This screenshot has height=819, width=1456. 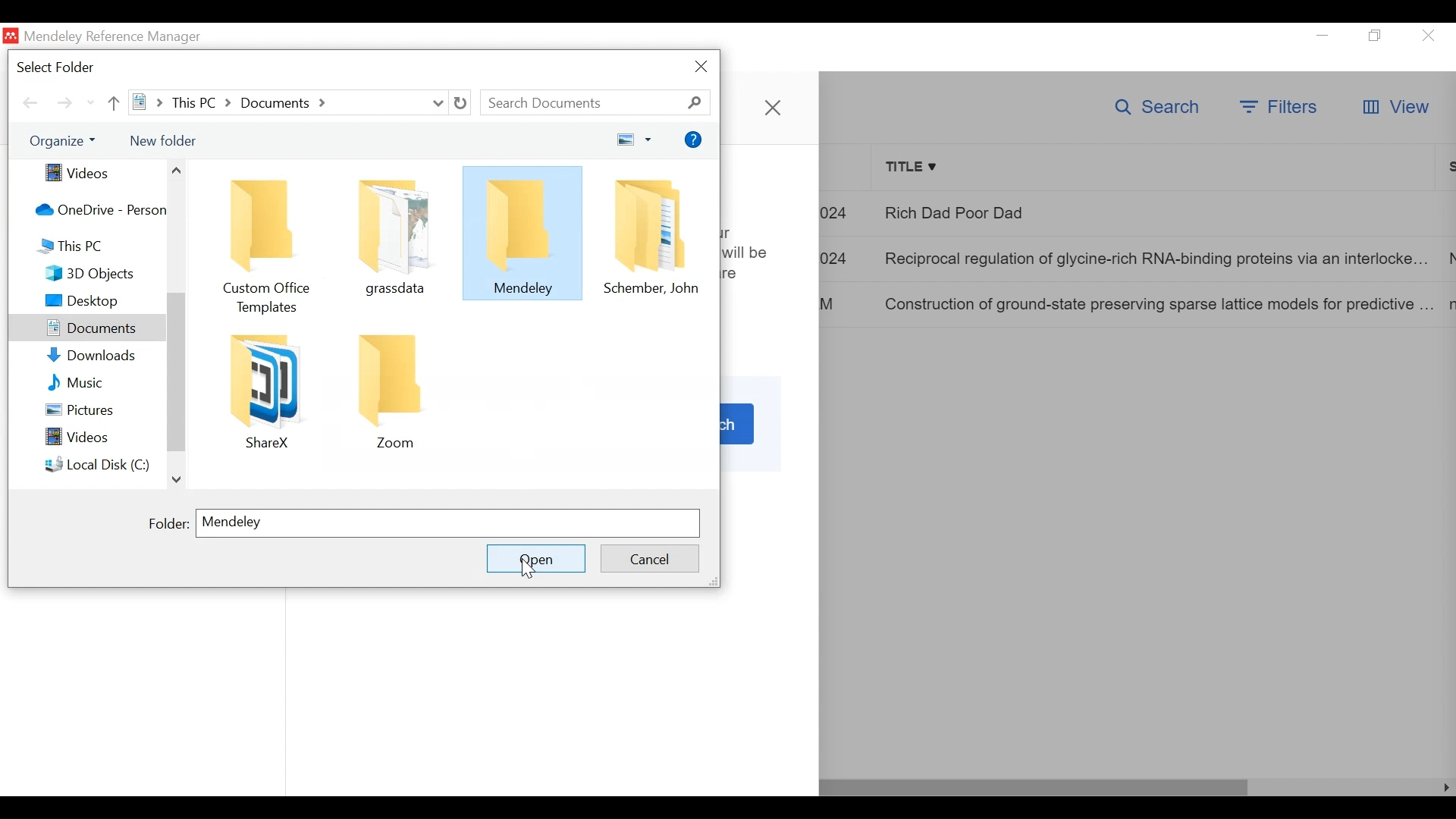 What do you see at coordinates (102, 412) in the screenshot?
I see `Pictures` at bounding box center [102, 412].